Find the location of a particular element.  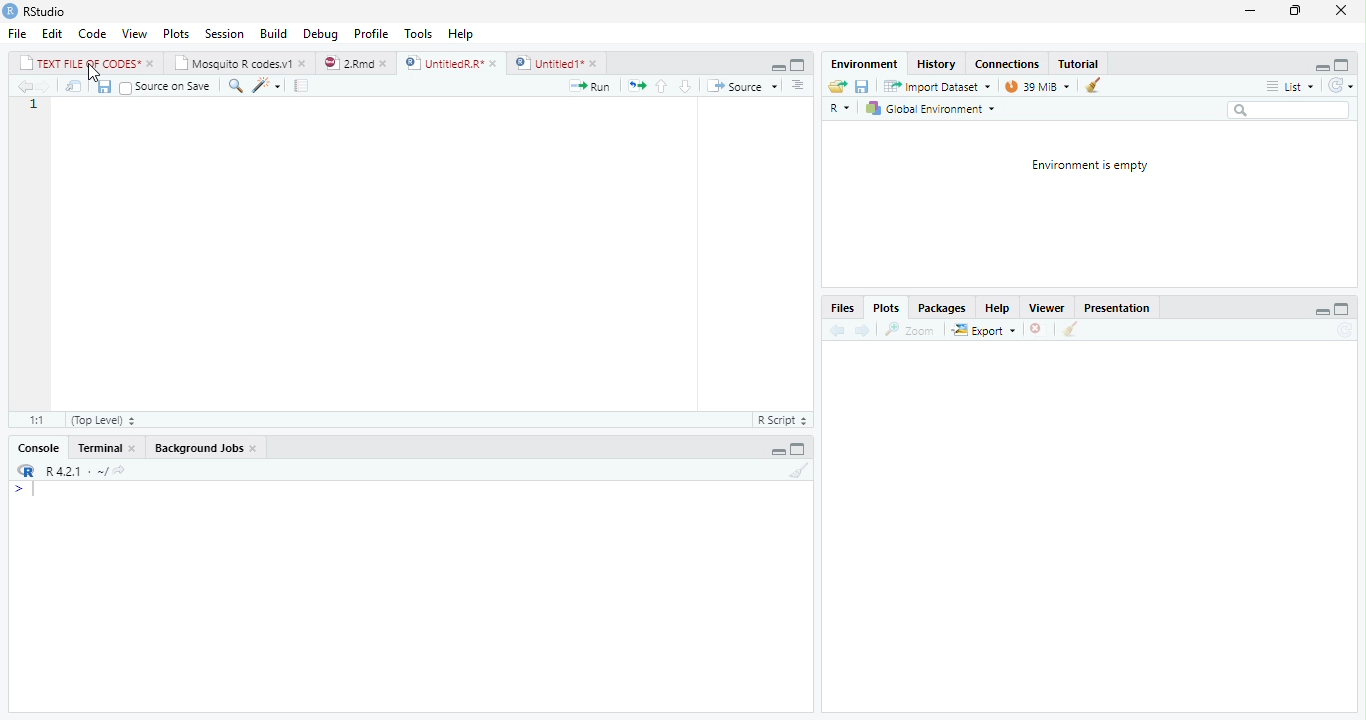

Help is located at coordinates (995, 307).